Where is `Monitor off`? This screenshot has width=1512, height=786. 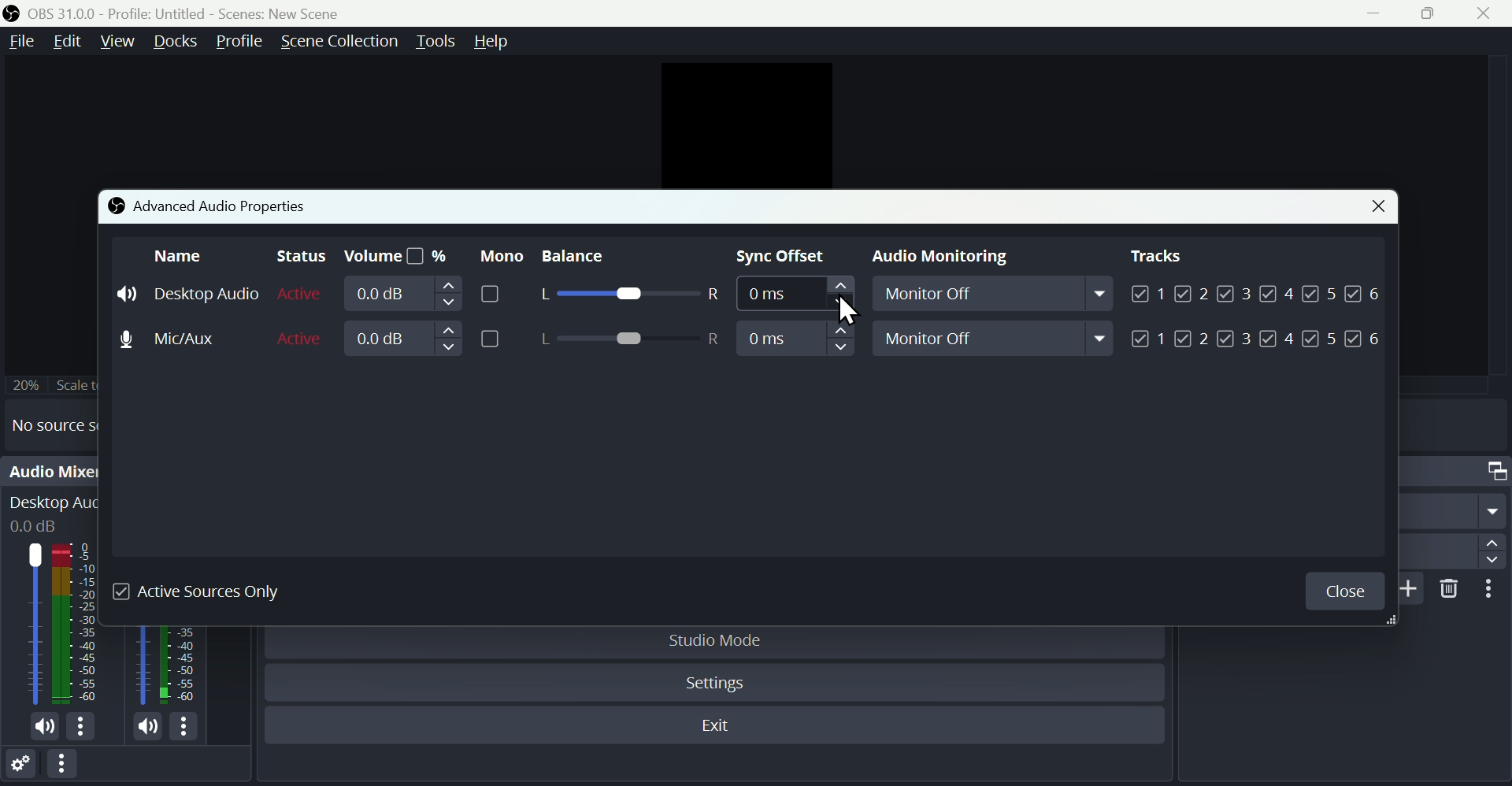 Monitor off is located at coordinates (997, 296).